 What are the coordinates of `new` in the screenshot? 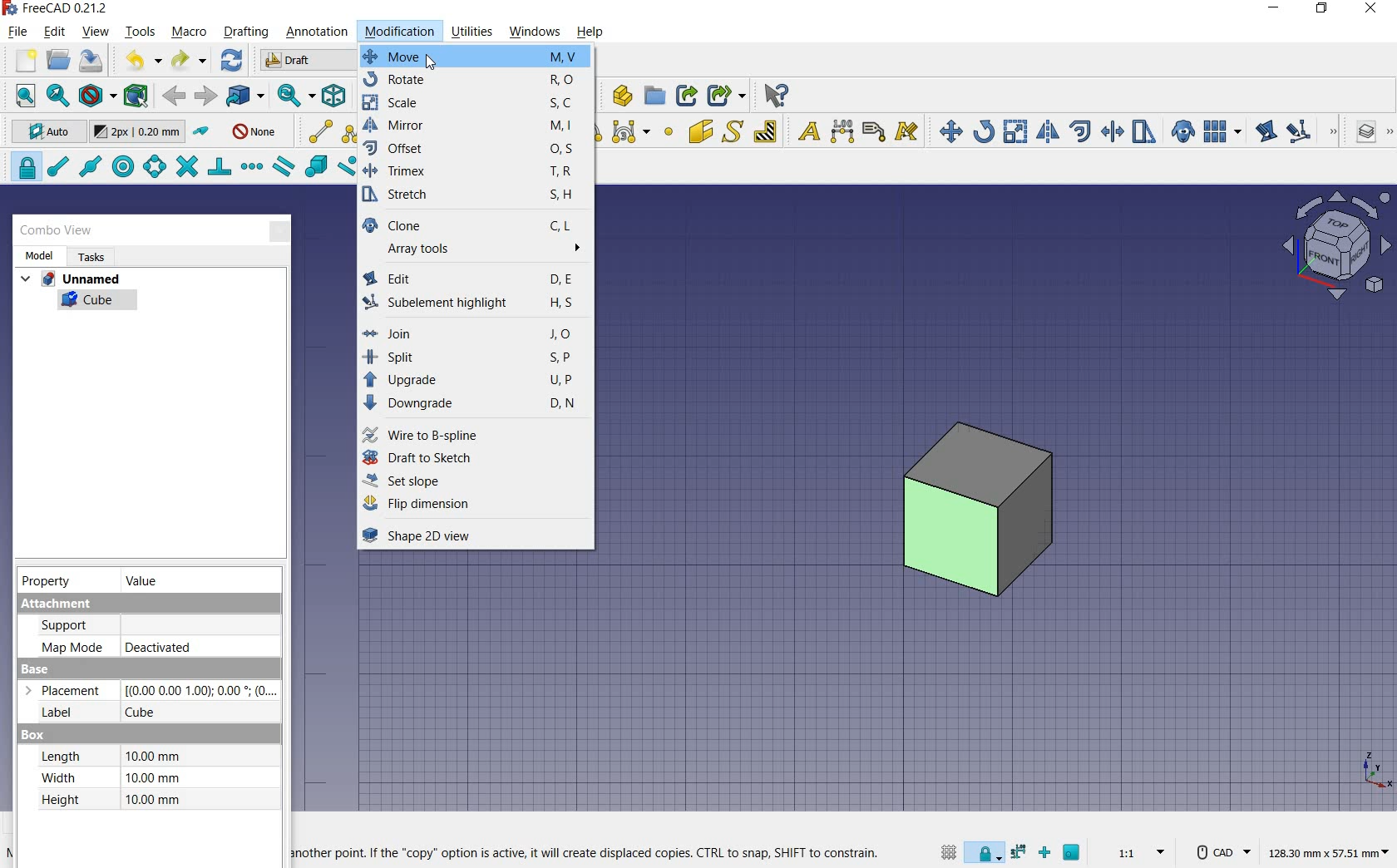 It's located at (21, 61).